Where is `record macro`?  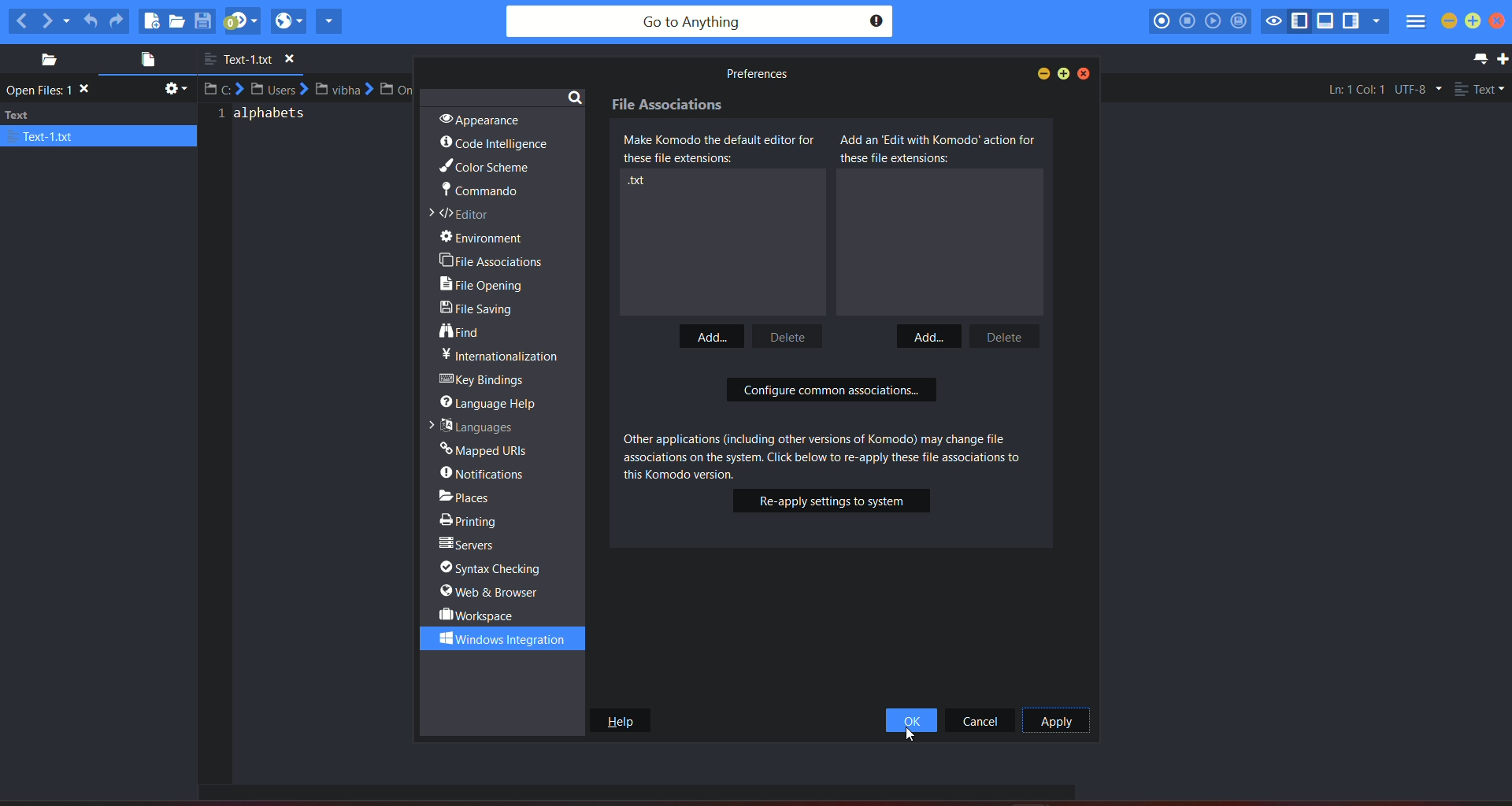
record macro is located at coordinates (1162, 20).